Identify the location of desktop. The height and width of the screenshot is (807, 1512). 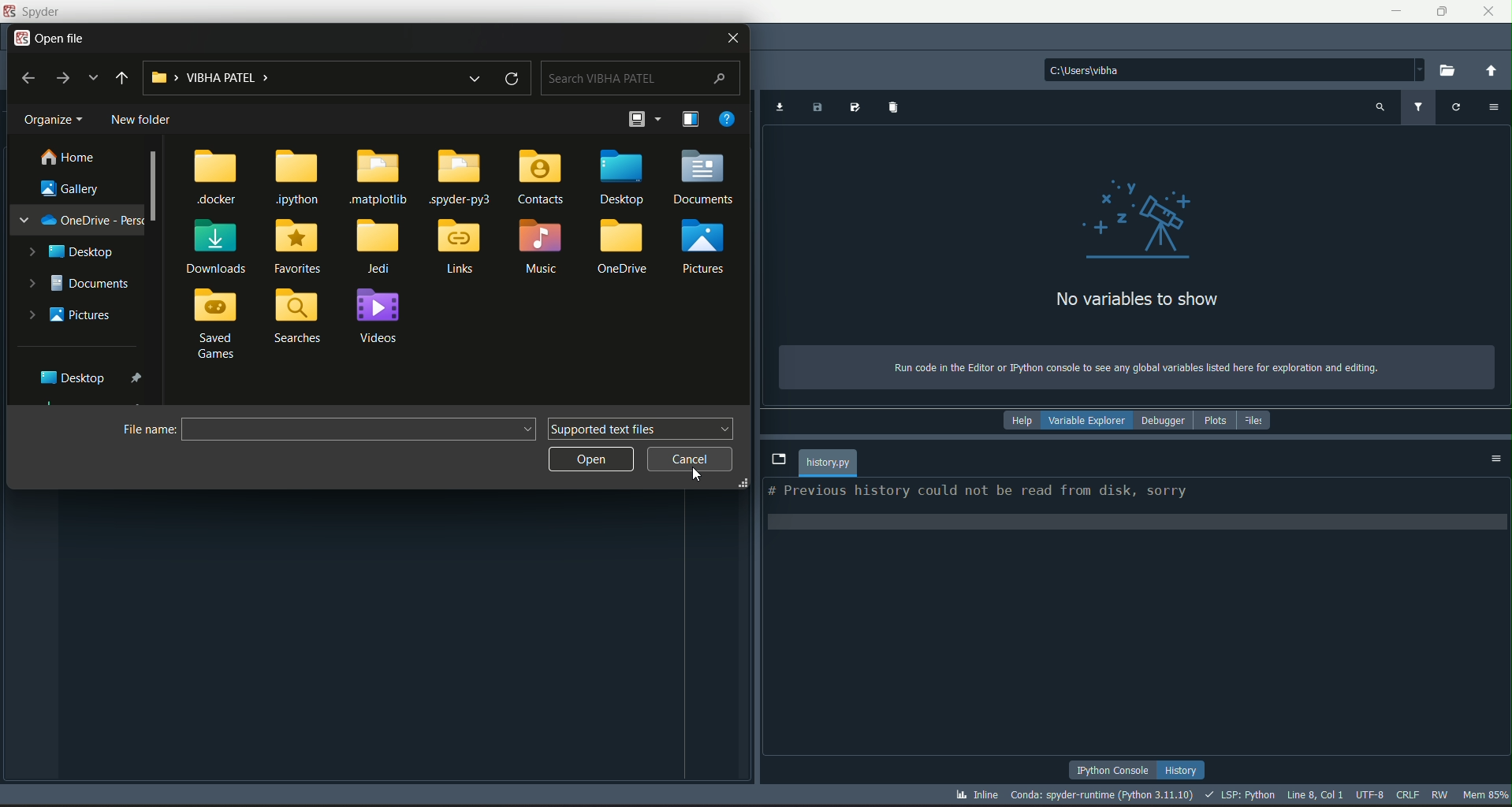
(94, 377).